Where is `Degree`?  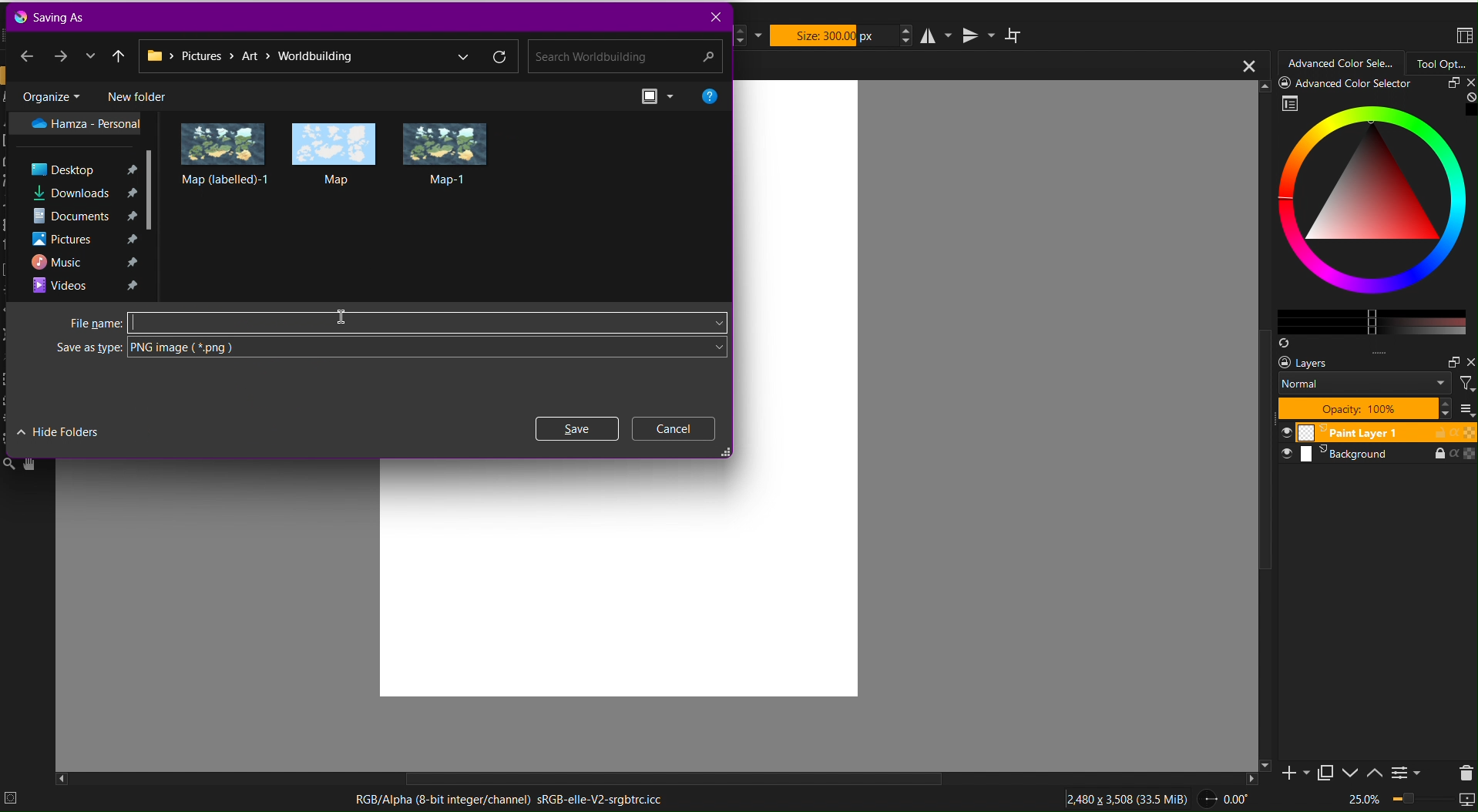
Degree is located at coordinates (1229, 797).